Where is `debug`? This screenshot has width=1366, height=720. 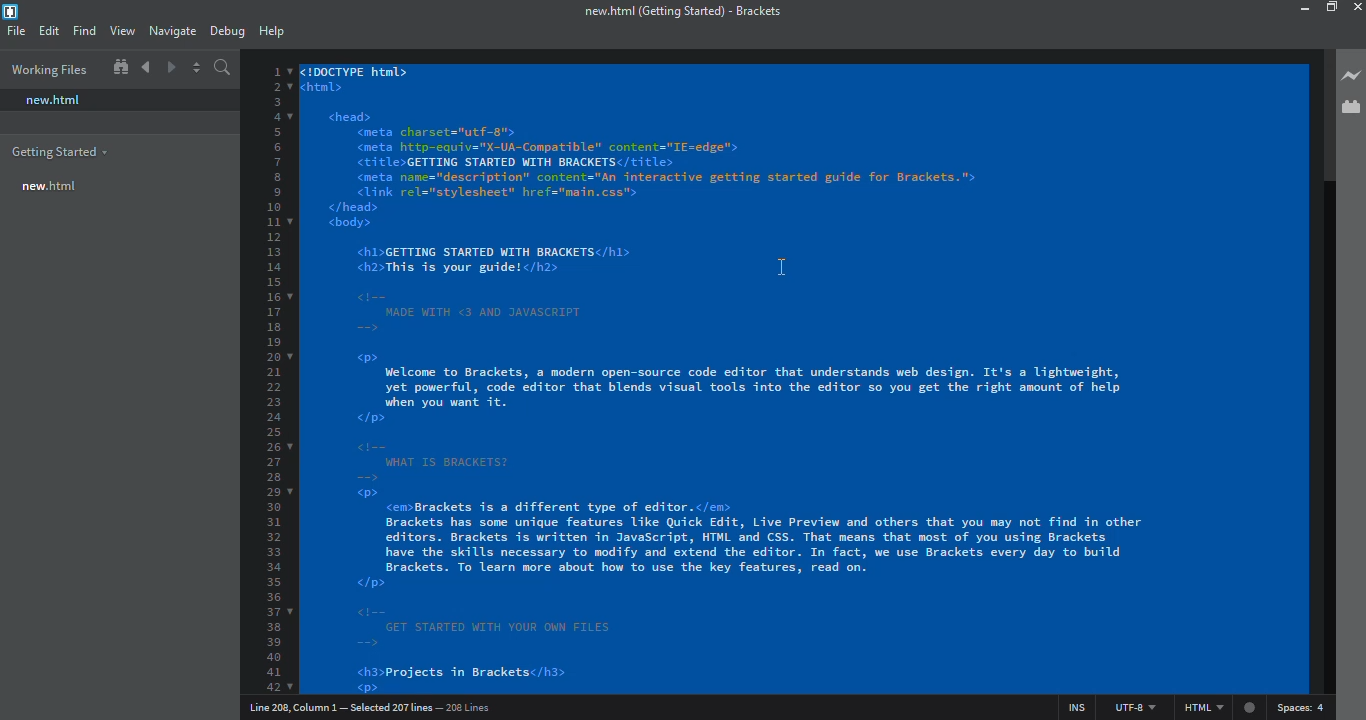 debug is located at coordinates (229, 29).